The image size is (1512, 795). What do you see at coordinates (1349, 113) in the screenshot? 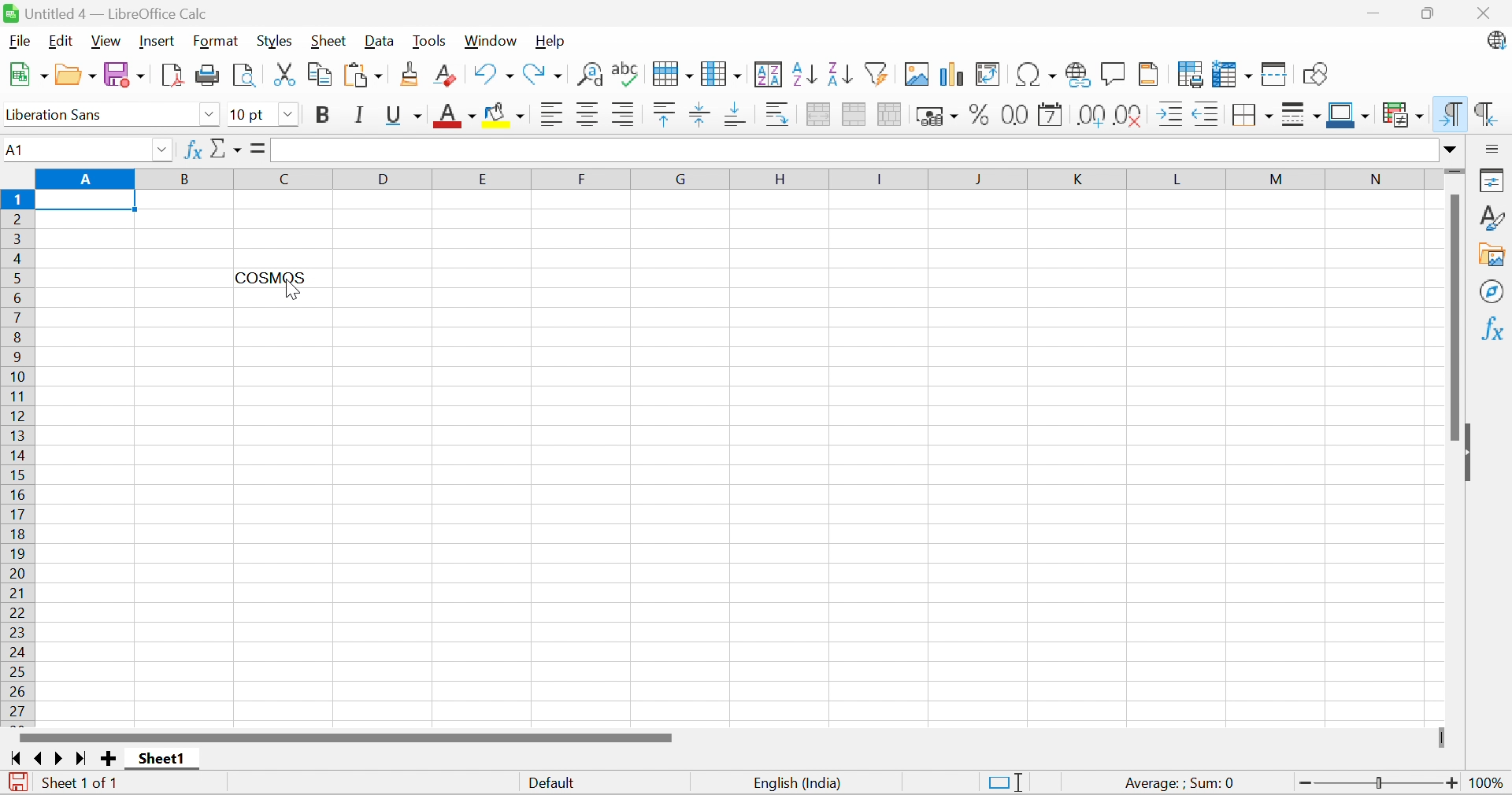
I see `Border Color` at bounding box center [1349, 113].